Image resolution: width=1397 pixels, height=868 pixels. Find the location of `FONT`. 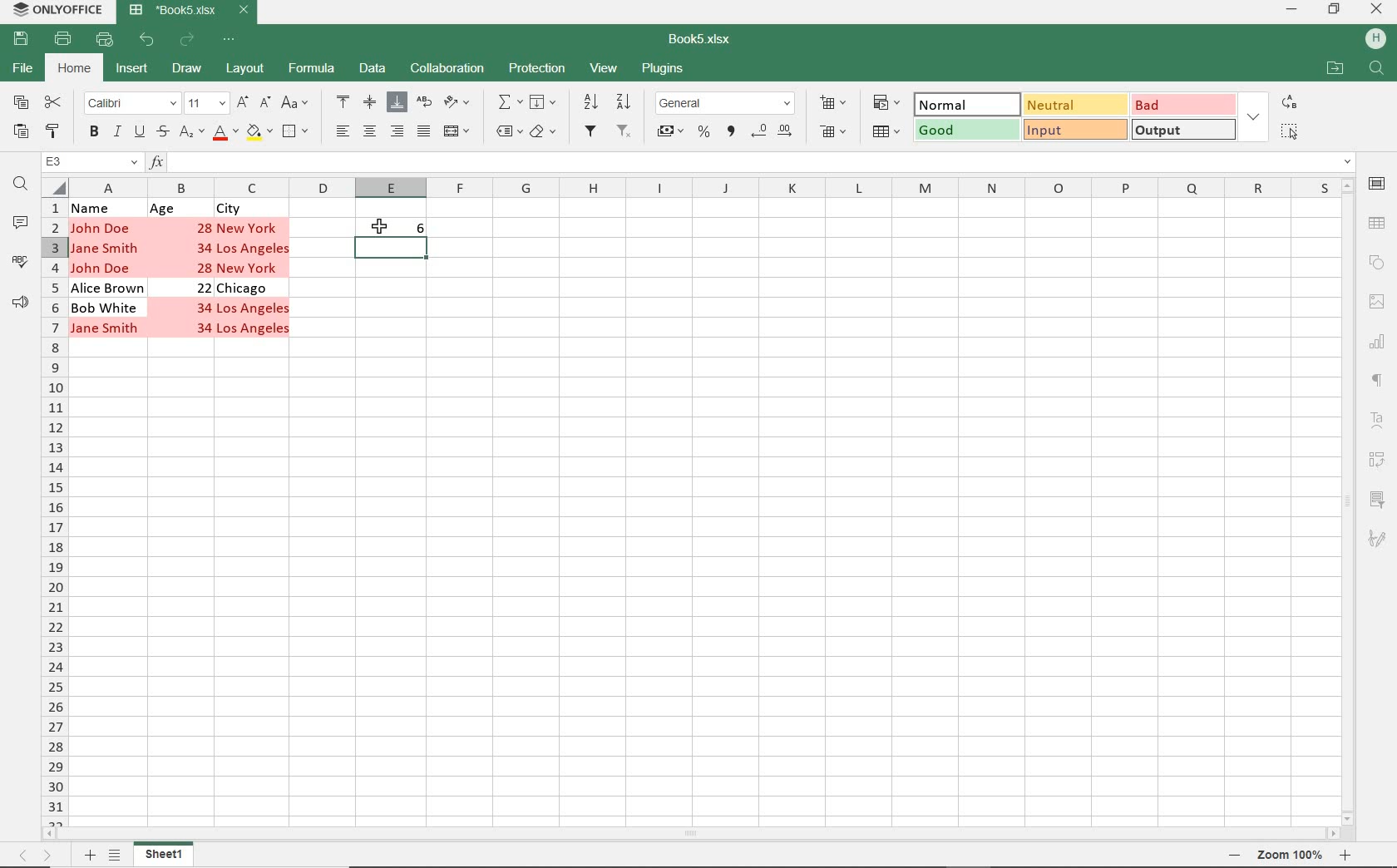

FONT is located at coordinates (131, 104).